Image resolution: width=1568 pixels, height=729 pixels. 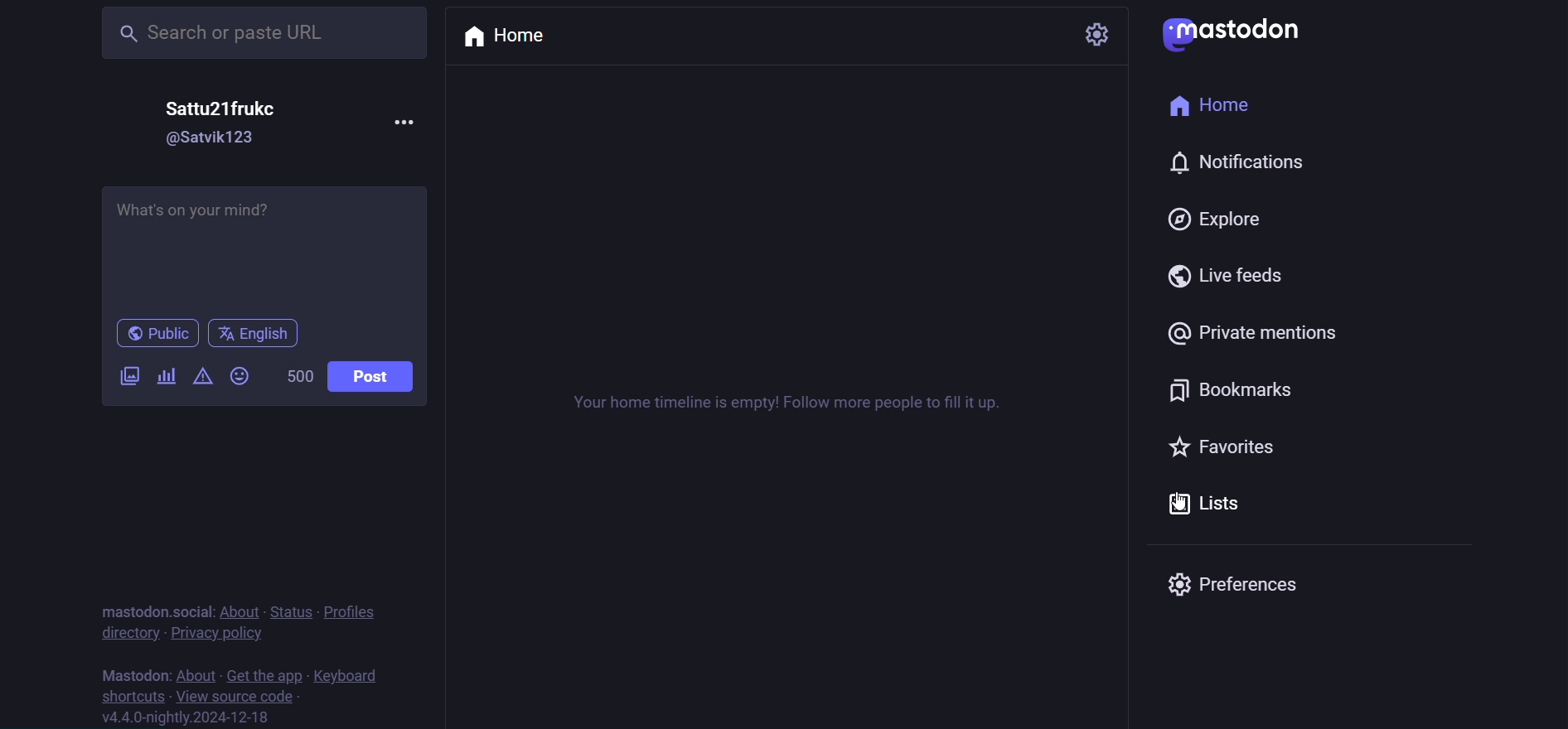 What do you see at coordinates (1234, 33) in the screenshot?
I see `logo` at bounding box center [1234, 33].